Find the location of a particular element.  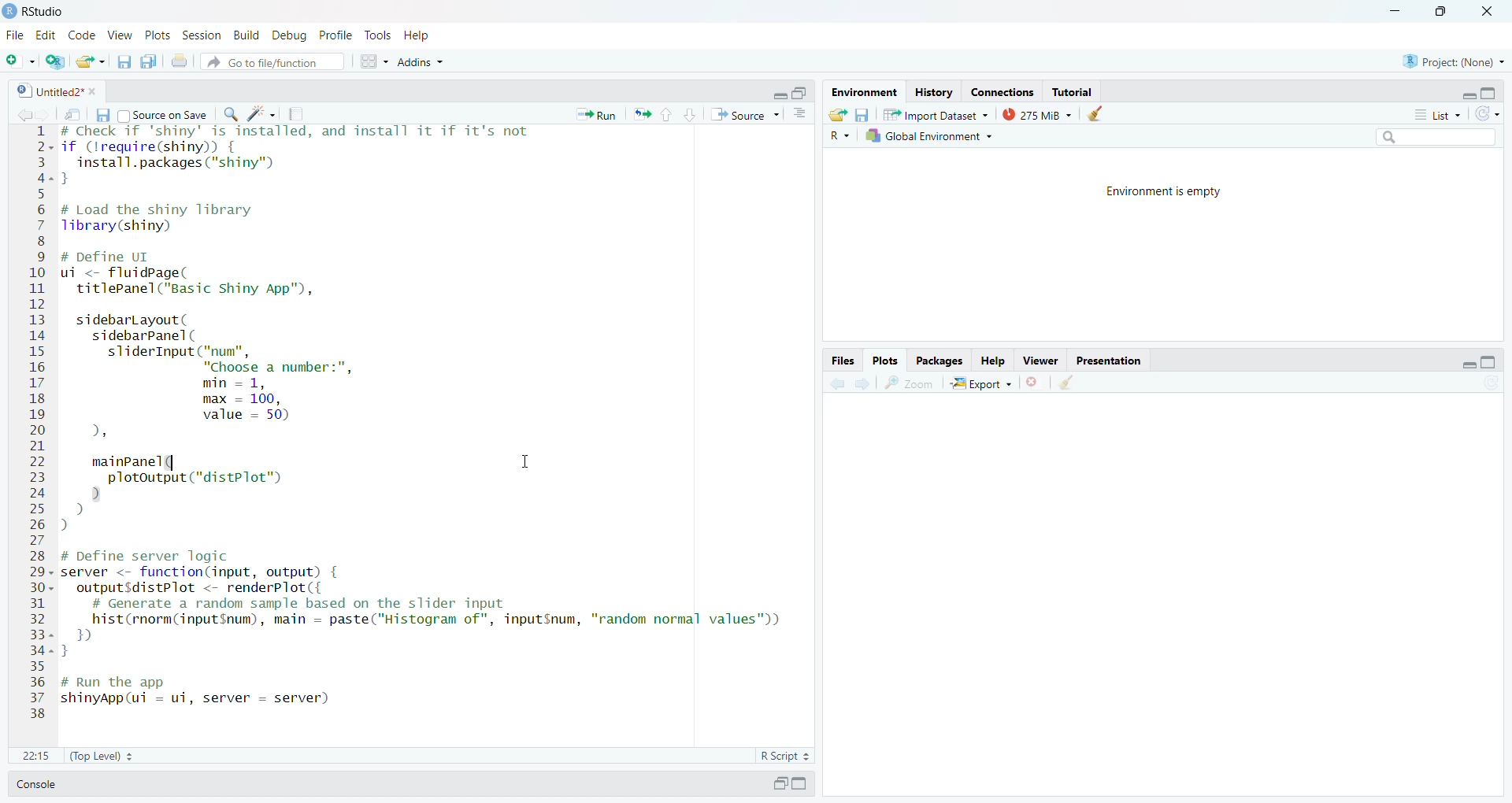

minimize is located at coordinates (1469, 364).